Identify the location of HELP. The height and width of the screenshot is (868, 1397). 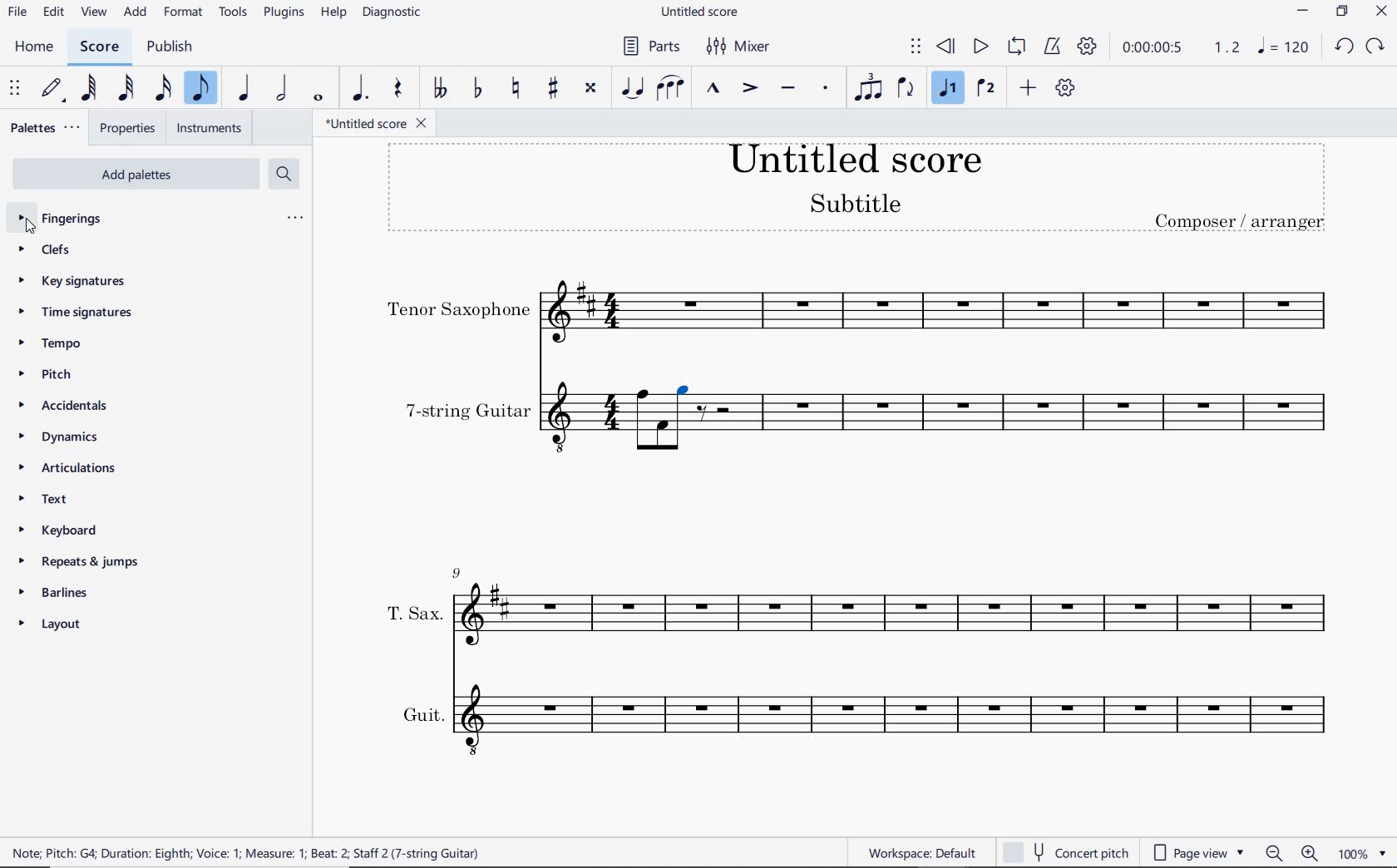
(331, 13).